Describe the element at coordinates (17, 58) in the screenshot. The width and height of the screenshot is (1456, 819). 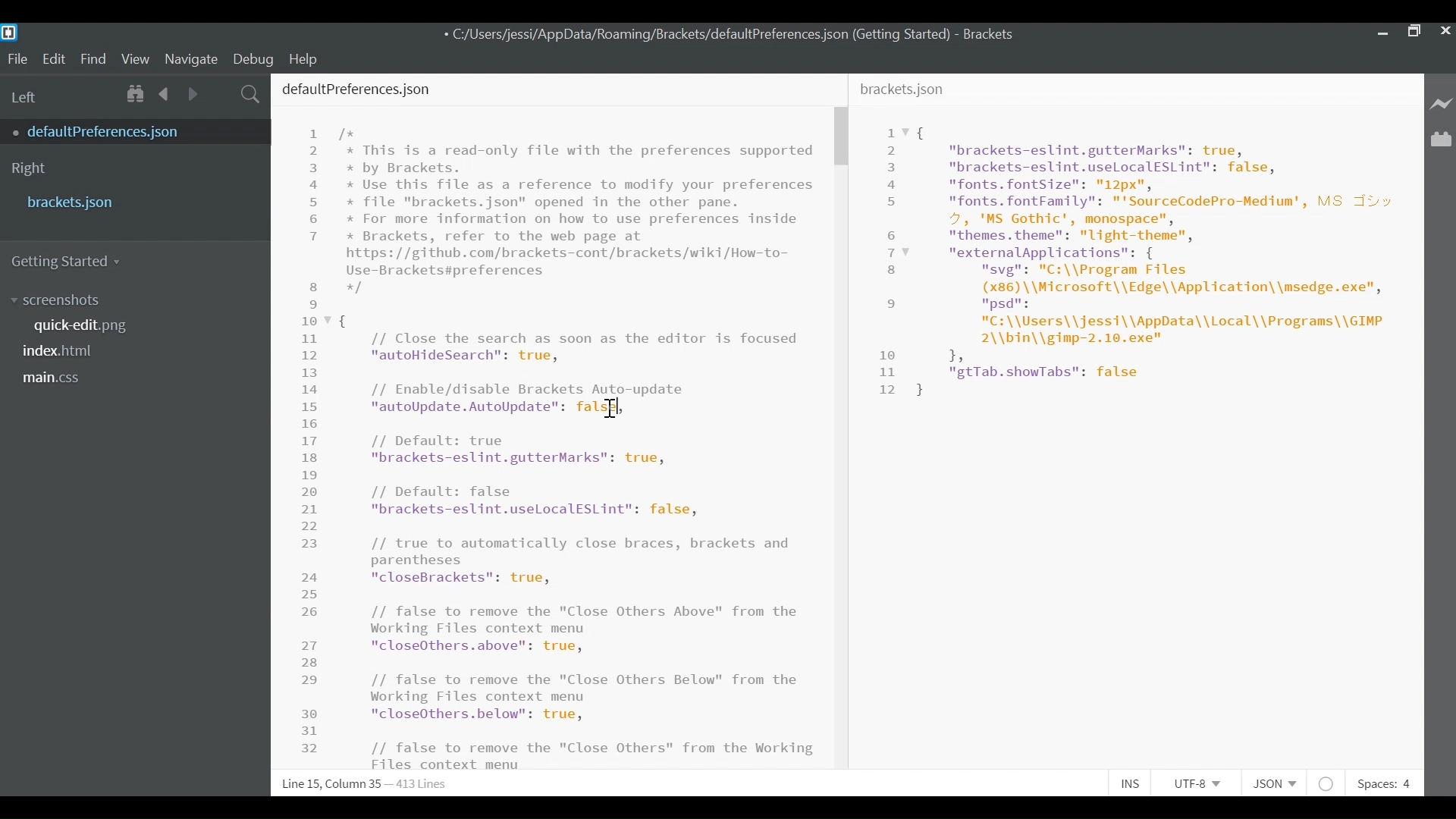
I see `File` at that location.